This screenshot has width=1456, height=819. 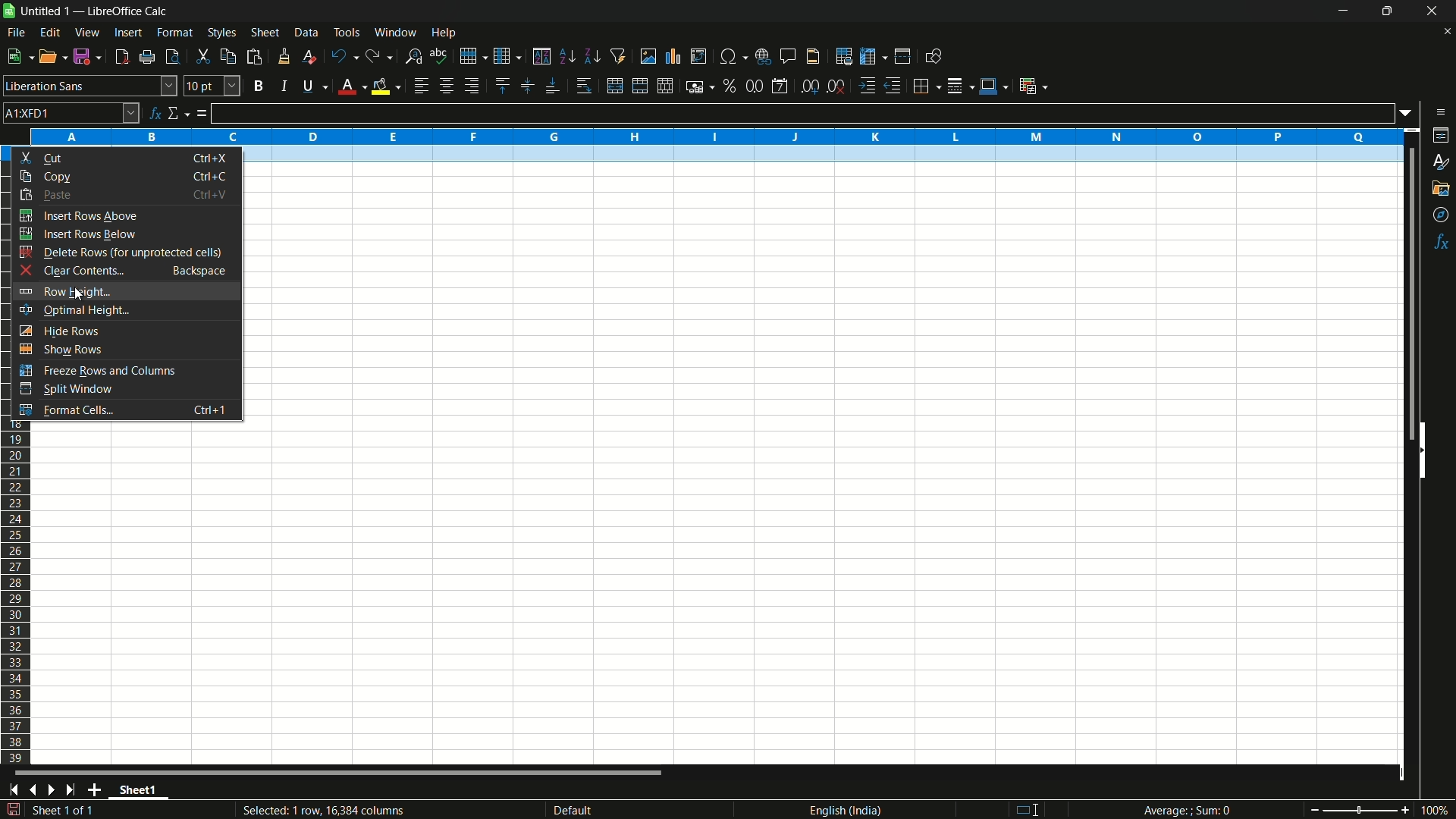 I want to click on conditional formatting, so click(x=1032, y=86).